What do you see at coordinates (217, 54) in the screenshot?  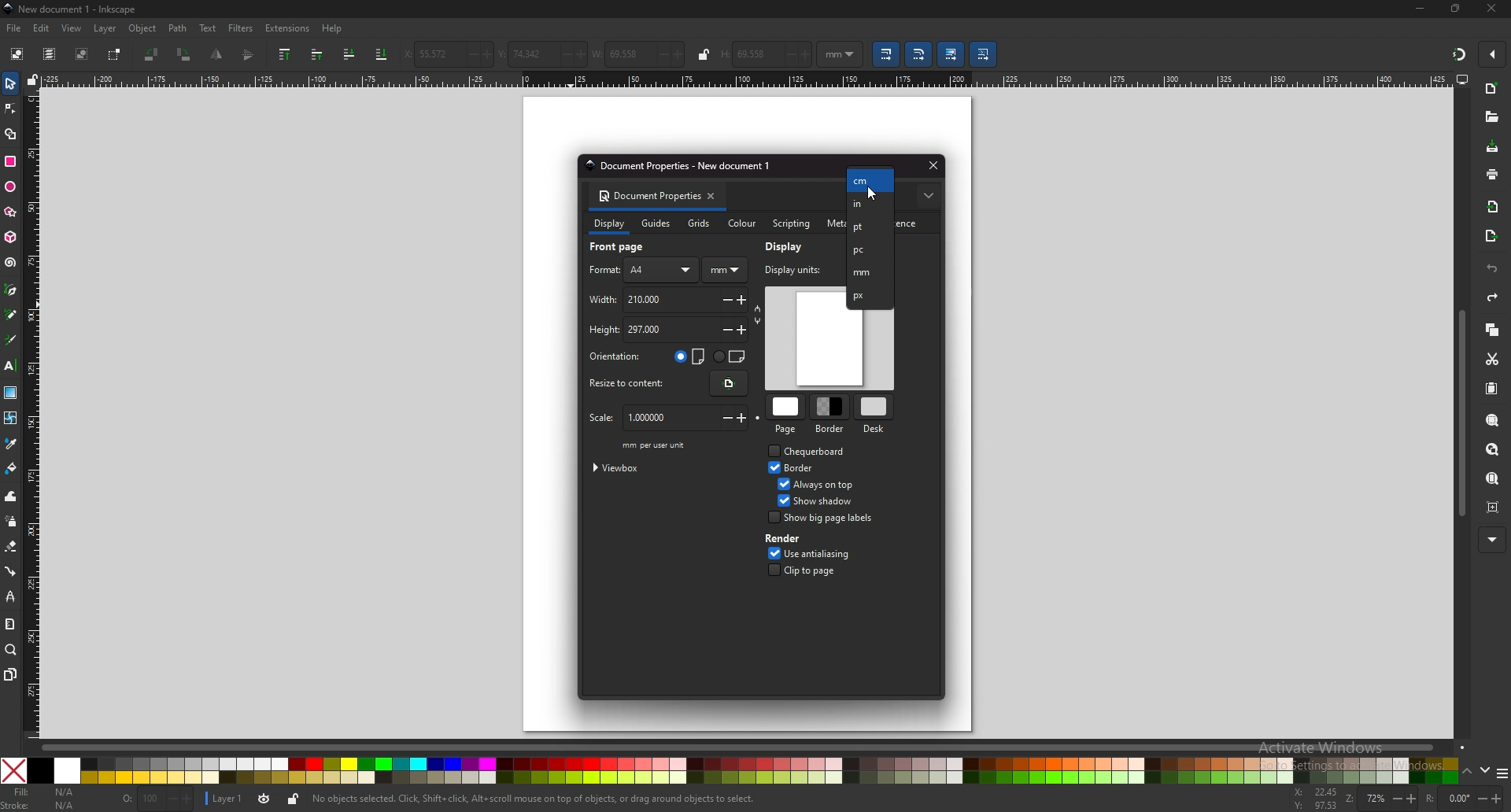 I see `flip horizontal` at bounding box center [217, 54].